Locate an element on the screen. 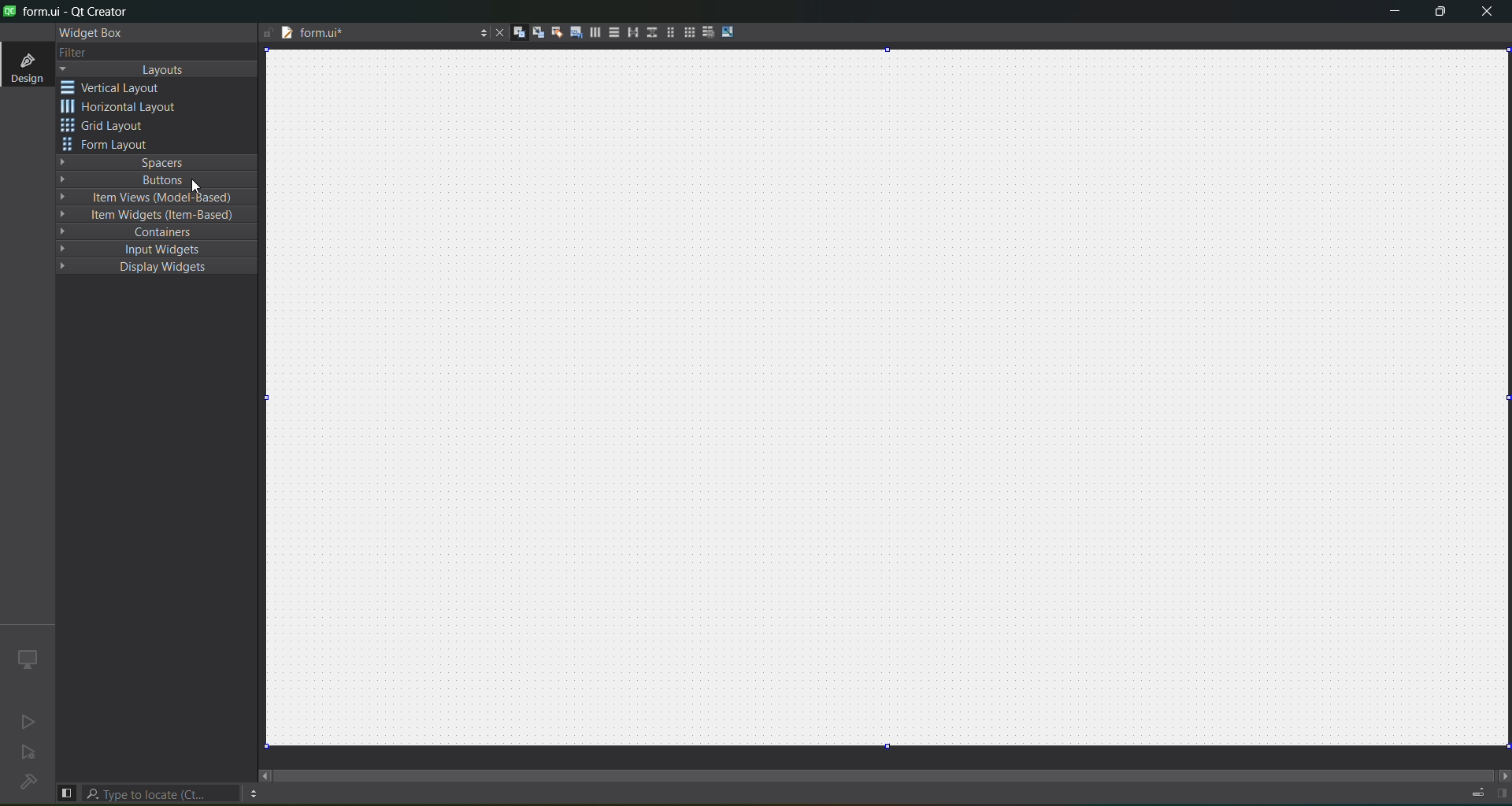 The image size is (1512, 806). edit widgets is located at coordinates (519, 33).